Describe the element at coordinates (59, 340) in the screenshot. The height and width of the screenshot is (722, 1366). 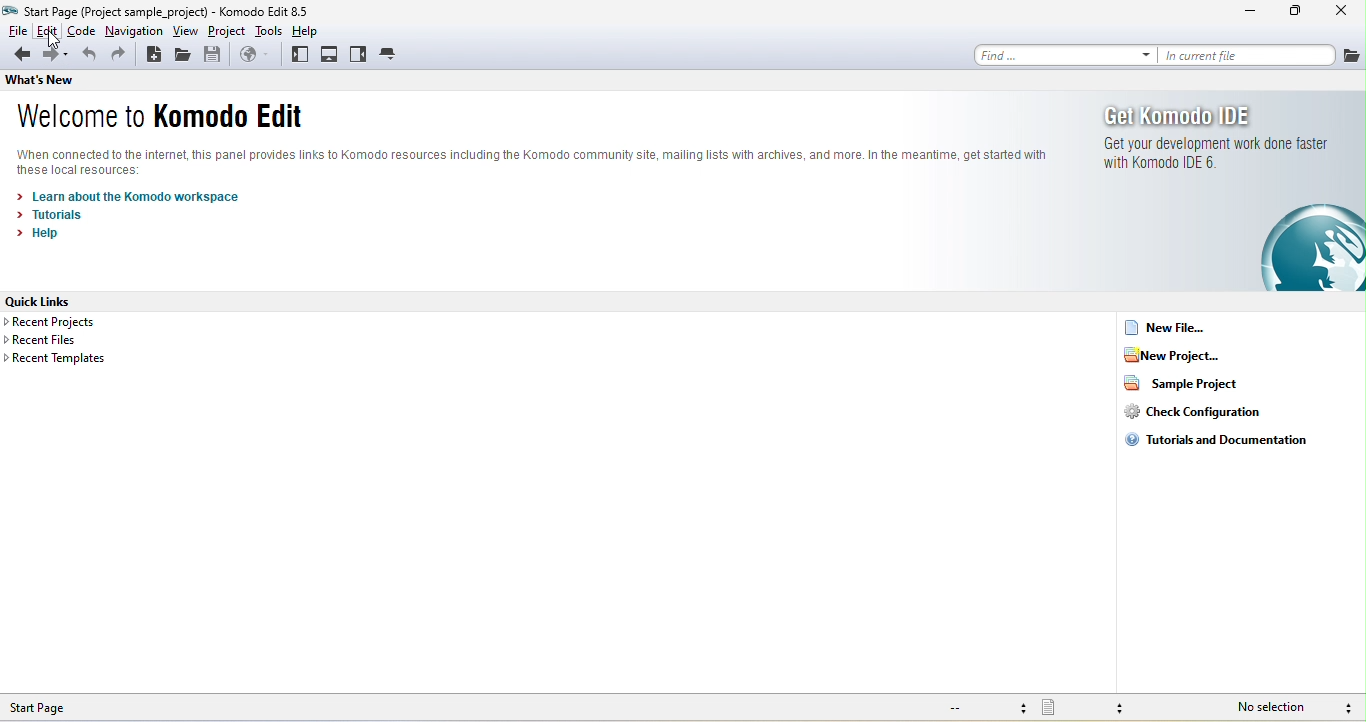
I see `recent files` at that location.